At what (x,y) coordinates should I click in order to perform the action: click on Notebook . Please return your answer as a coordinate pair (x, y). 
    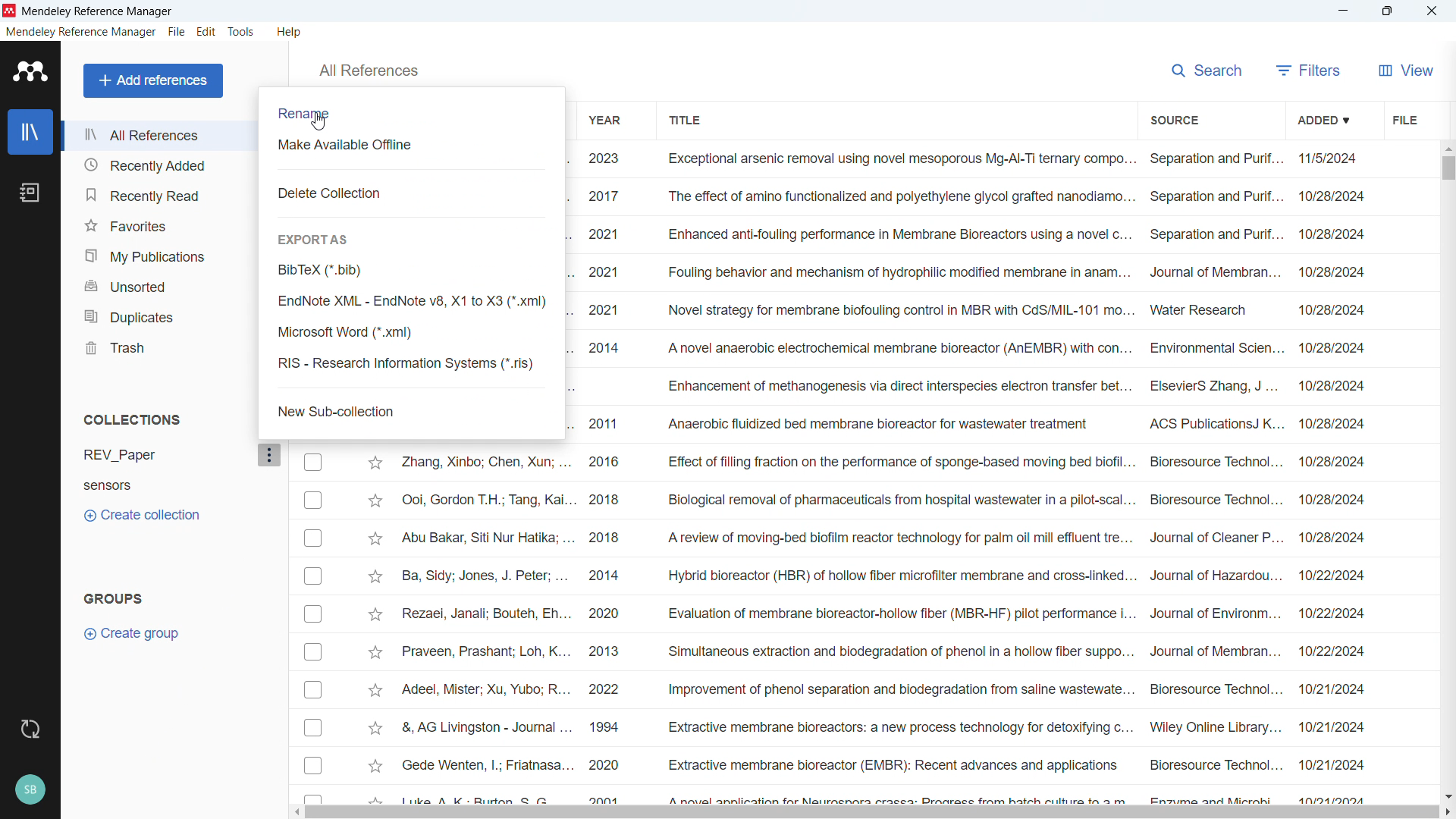
    Looking at the image, I should click on (30, 193).